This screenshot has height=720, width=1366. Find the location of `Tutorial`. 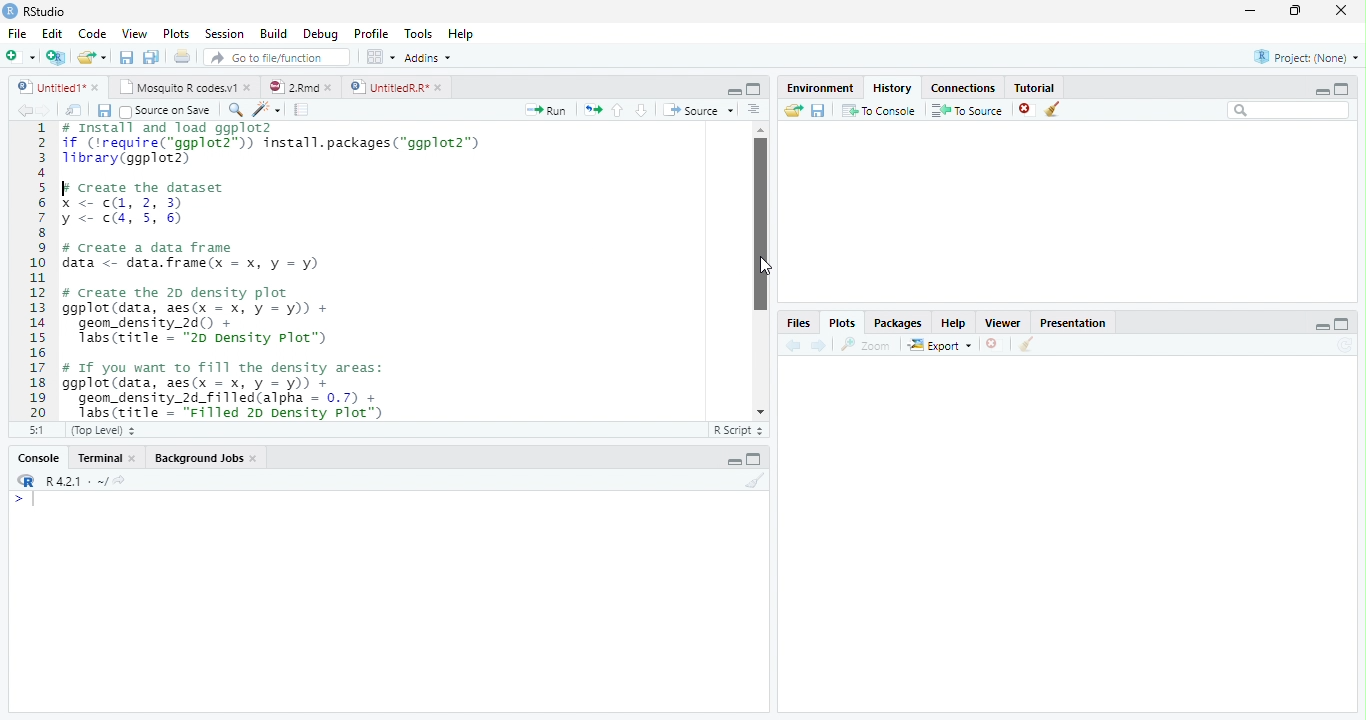

Tutorial is located at coordinates (1036, 87).